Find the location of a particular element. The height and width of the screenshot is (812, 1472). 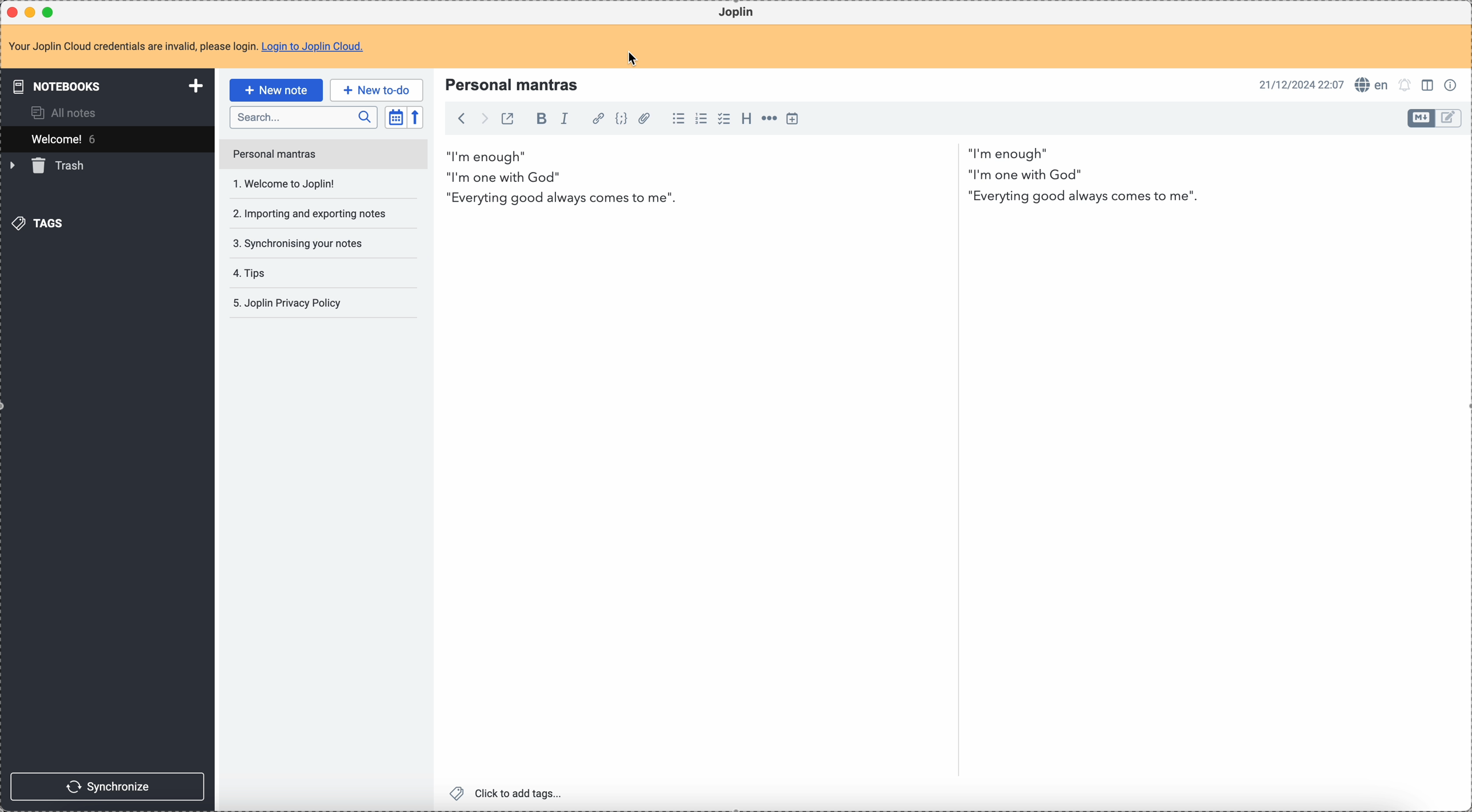

checkbox is located at coordinates (723, 119).